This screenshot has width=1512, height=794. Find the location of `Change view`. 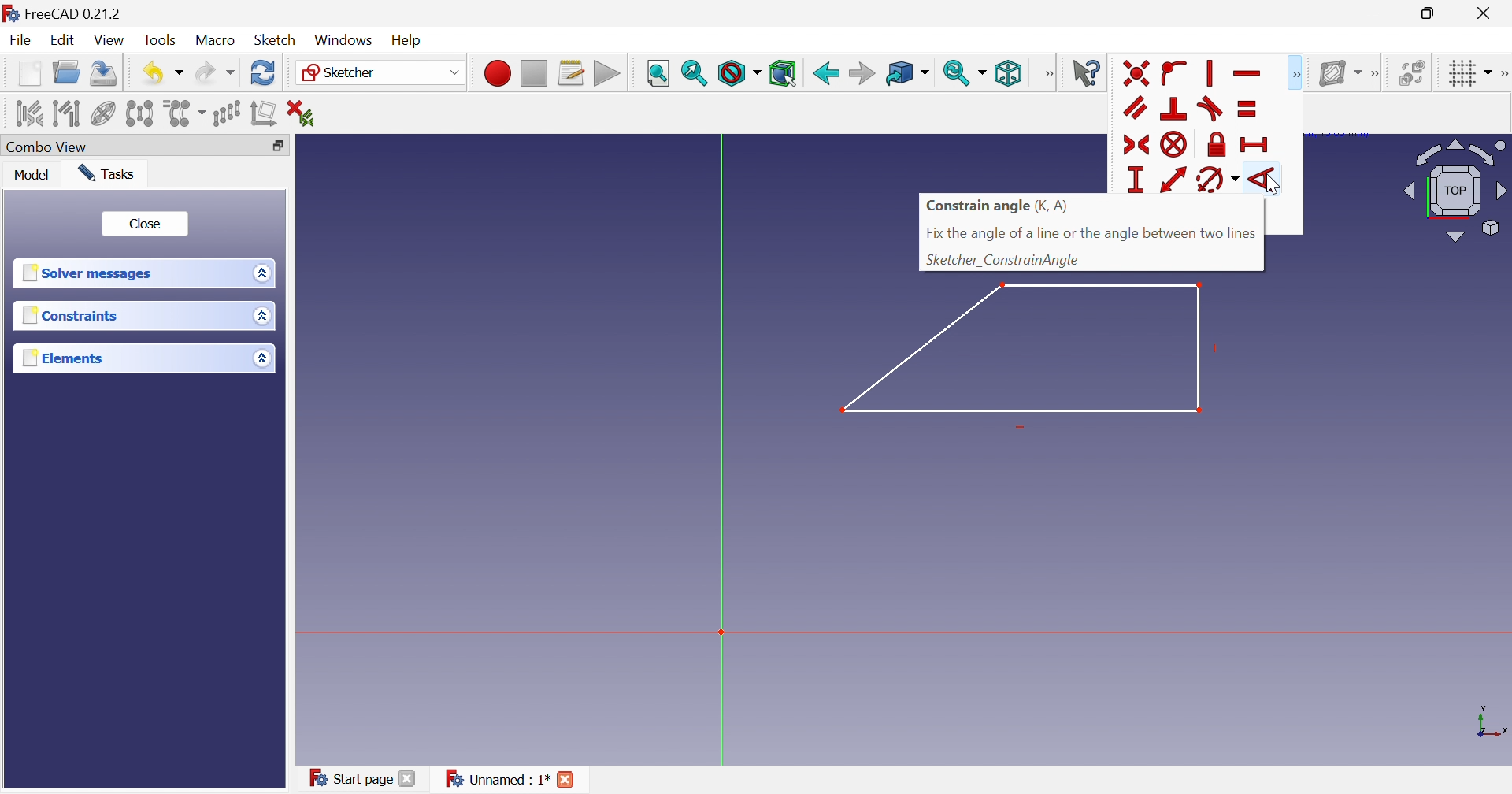

Change view is located at coordinates (277, 146).